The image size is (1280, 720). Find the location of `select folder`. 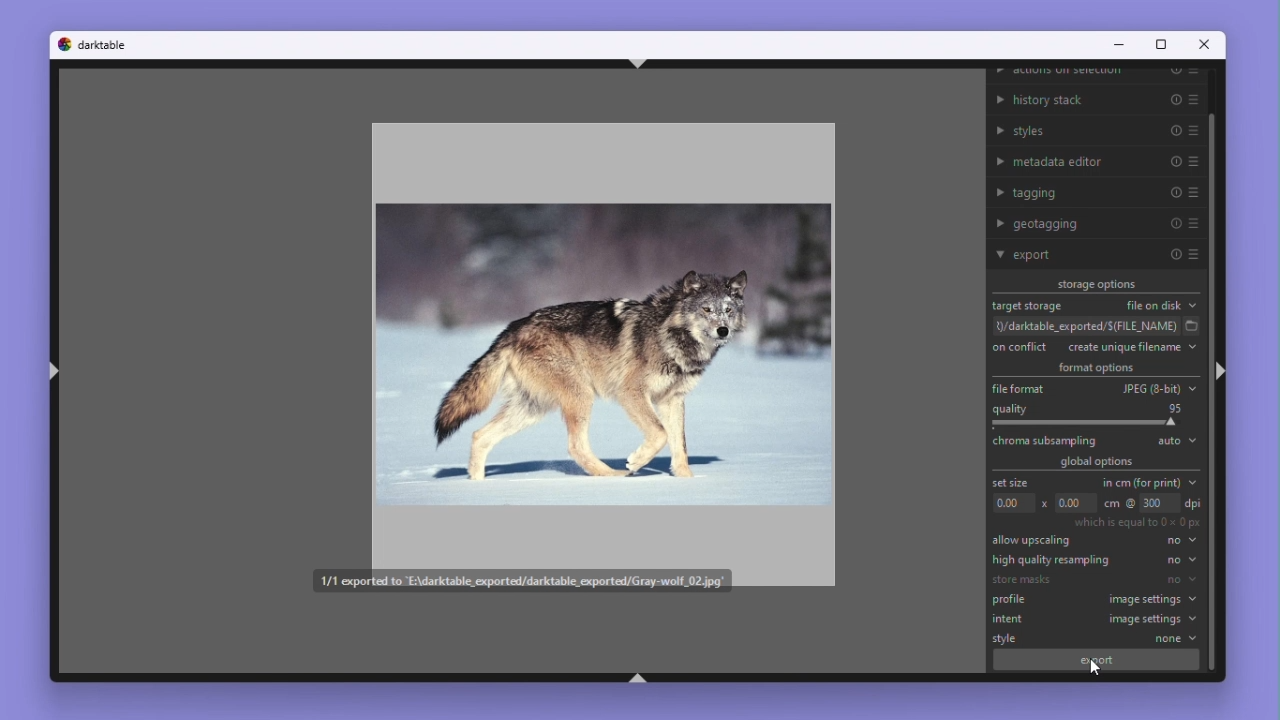

select folder is located at coordinates (1192, 326).